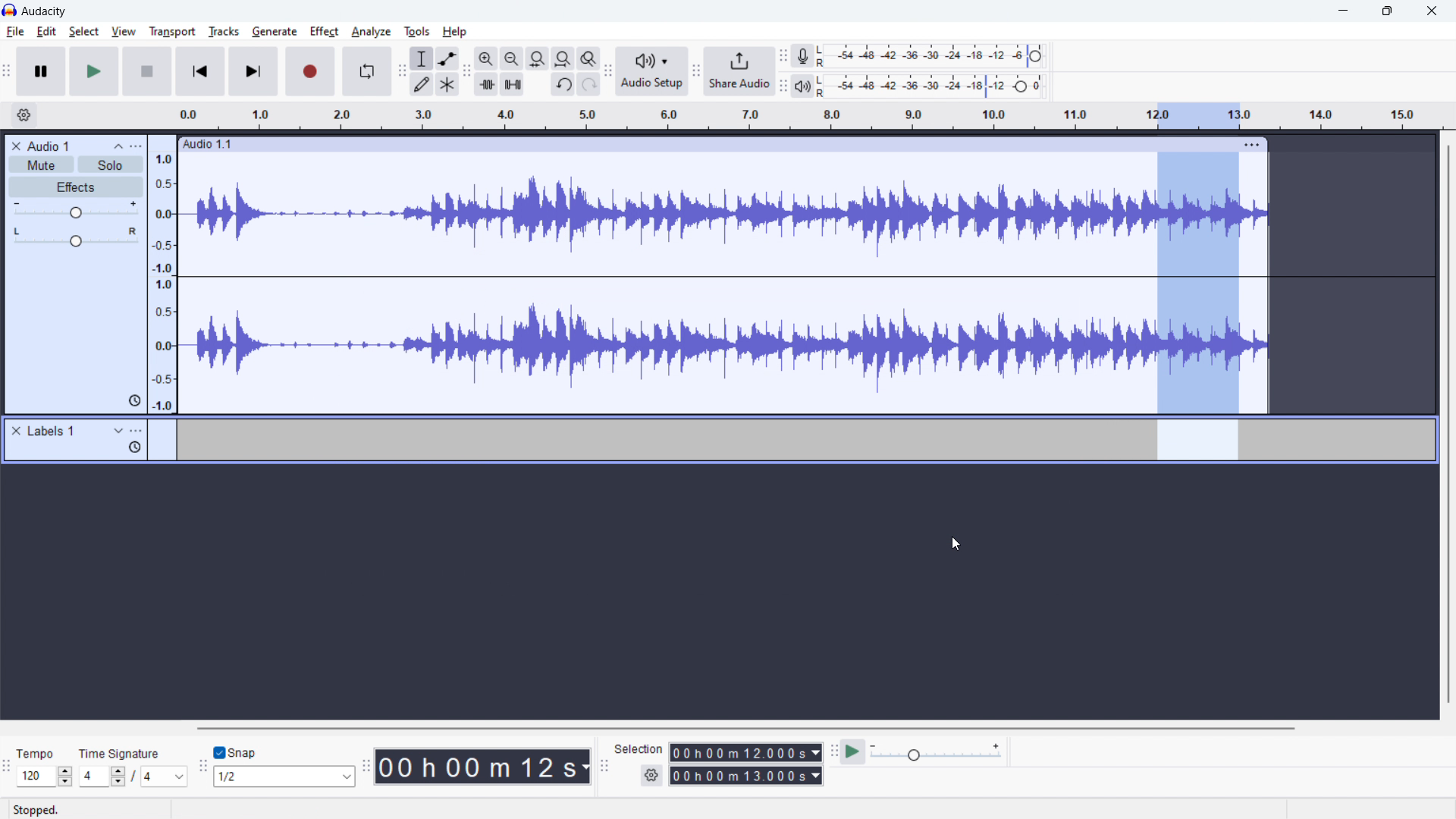 Image resolution: width=1456 pixels, height=819 pixels. I want to click on selection tool, so click(422, 58).